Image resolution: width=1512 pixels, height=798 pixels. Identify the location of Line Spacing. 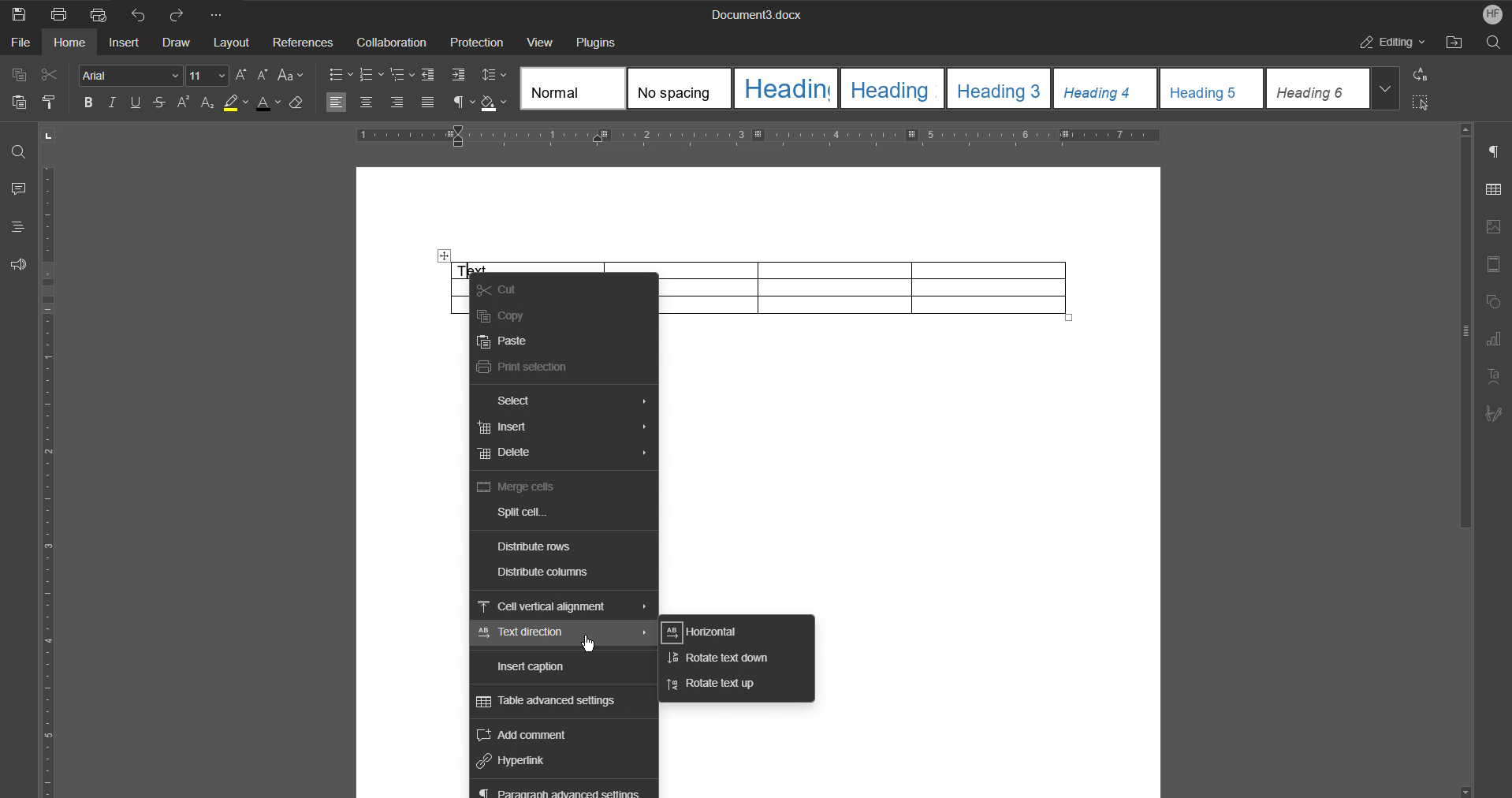
(493, 76).